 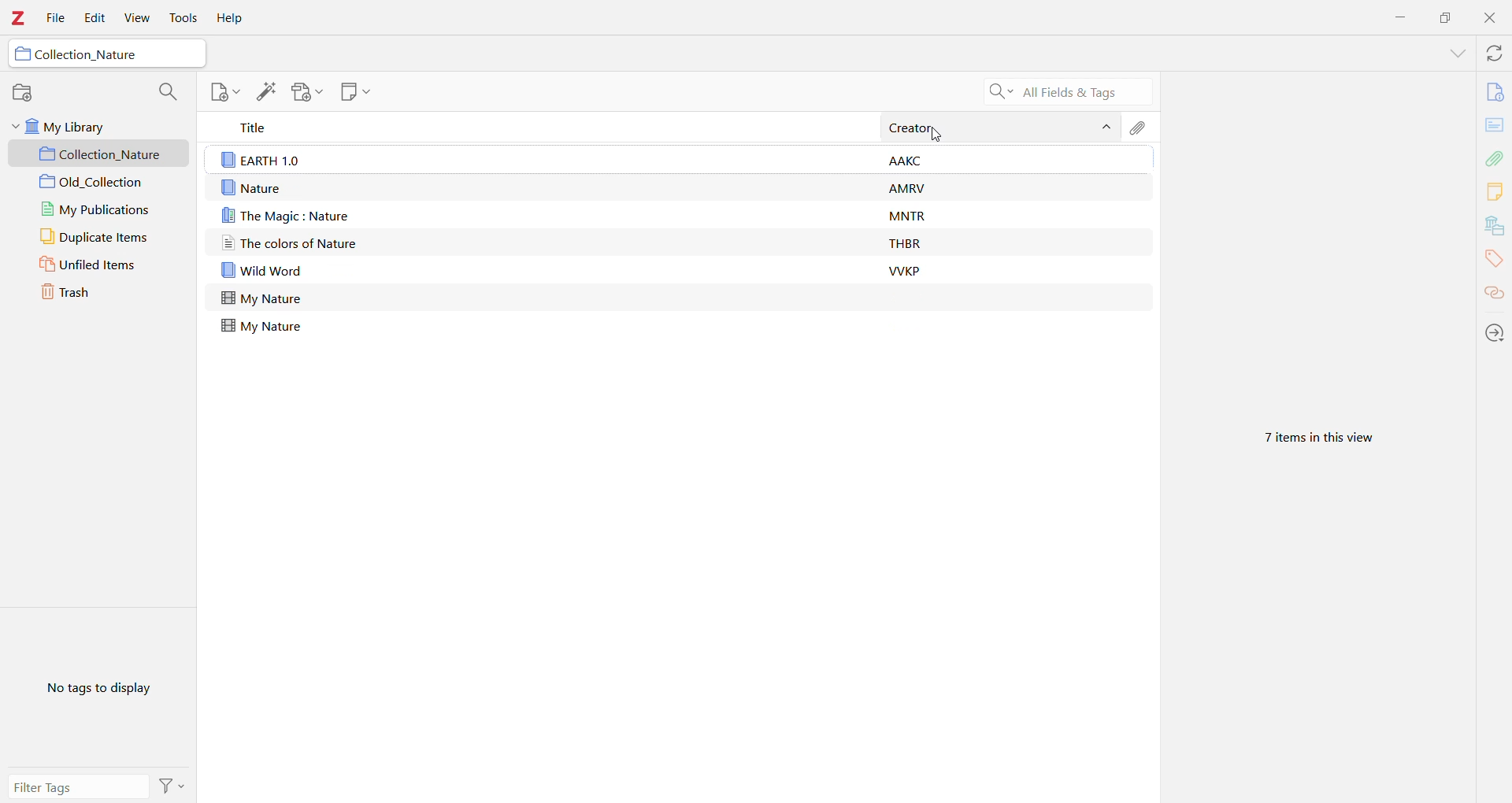 I want to click on Attachments, so click(x=1495, y=157).